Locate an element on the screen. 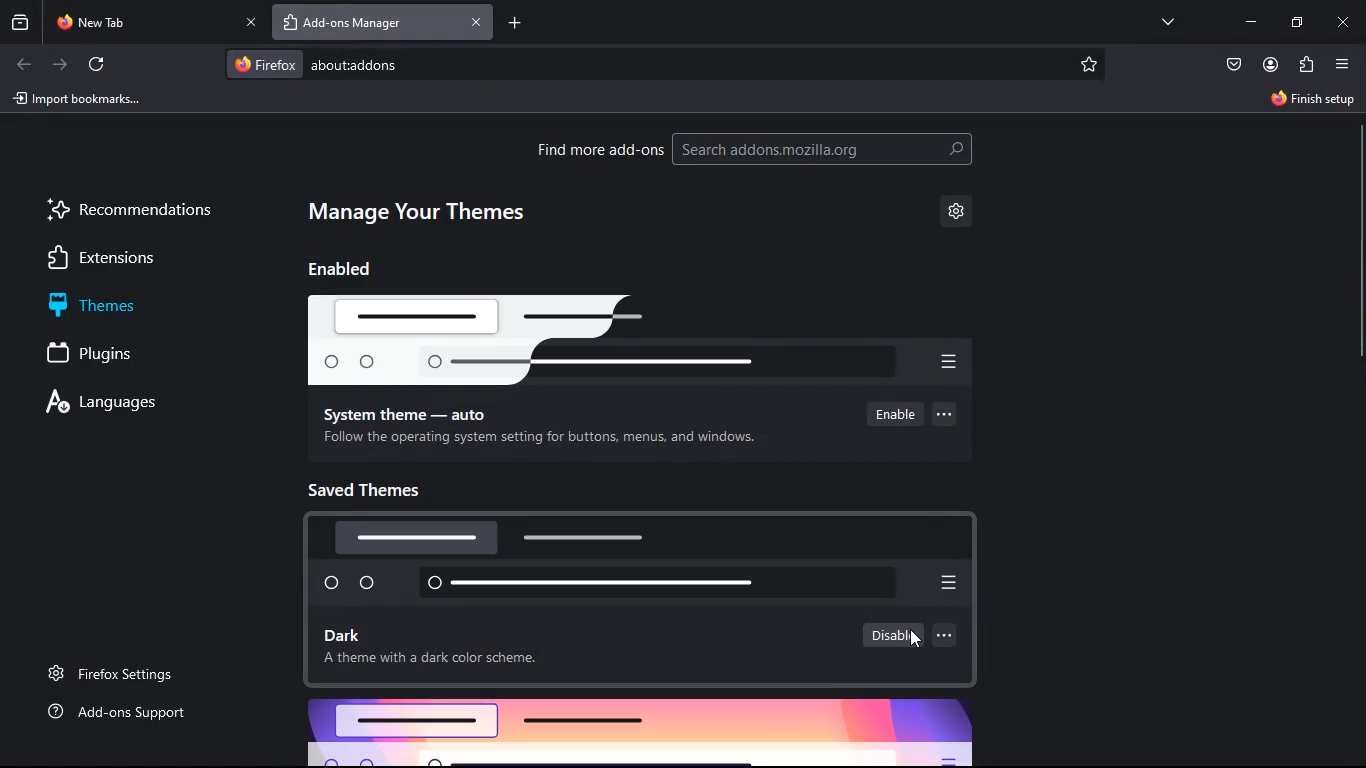 The image size is (1366, 768). close is located at coordinates (251, 21).